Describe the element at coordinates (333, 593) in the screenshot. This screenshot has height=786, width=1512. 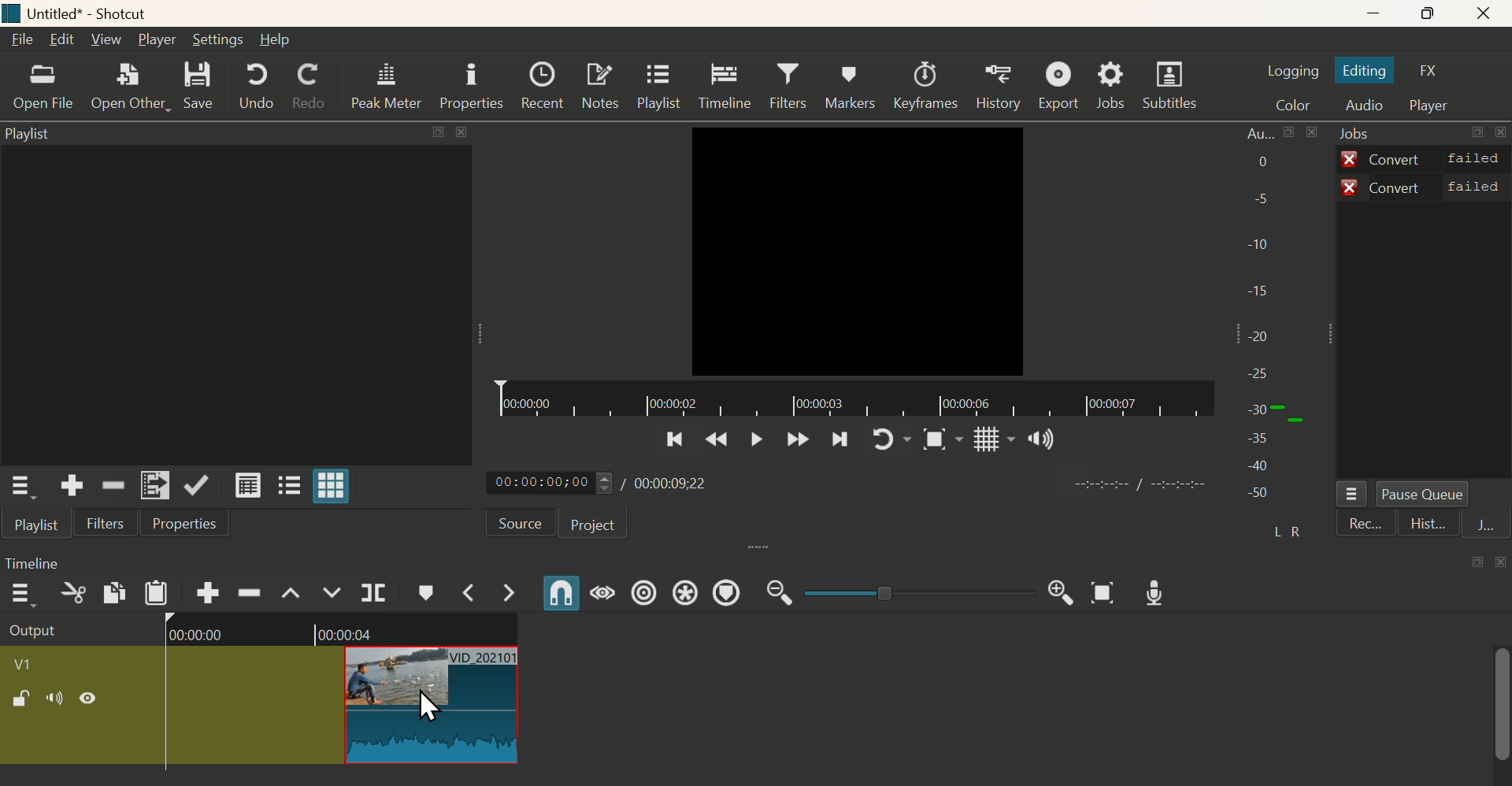
I see `Overwrite` at that location.